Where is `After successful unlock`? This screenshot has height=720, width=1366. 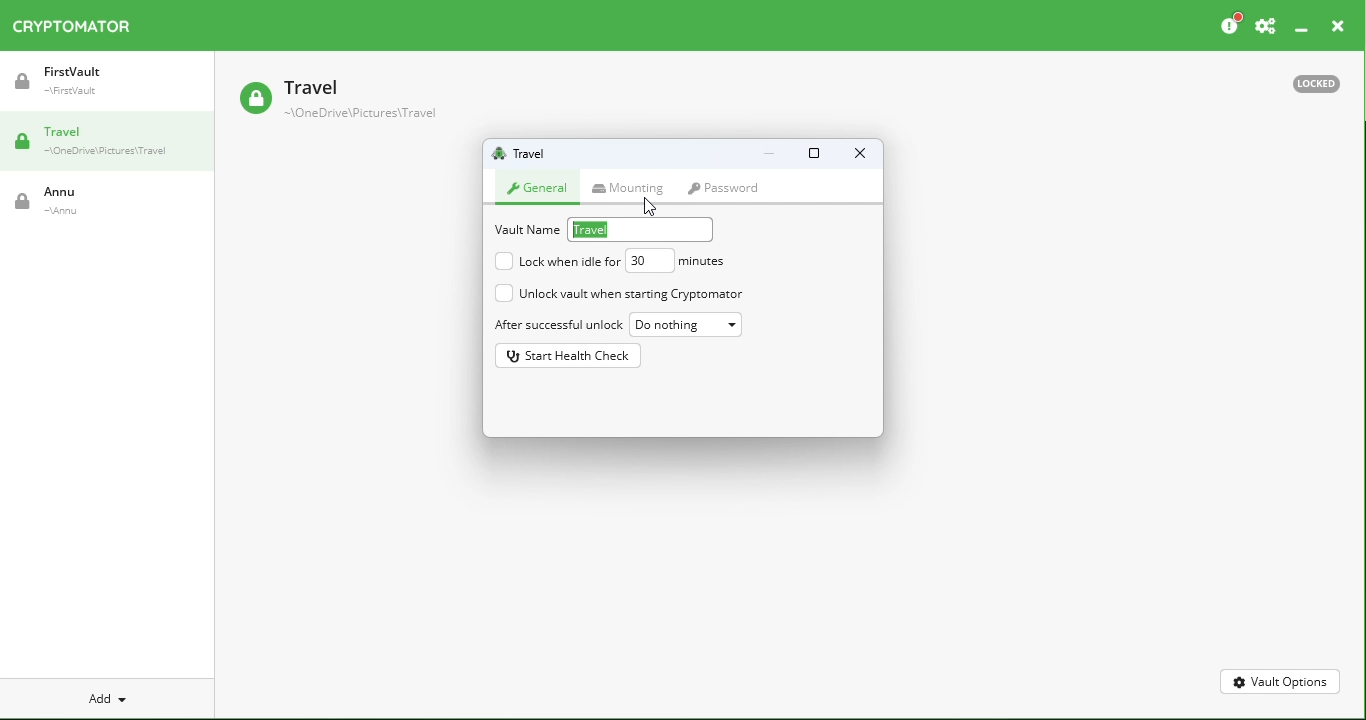 After successful unlock is located at coordinates (555, 323).